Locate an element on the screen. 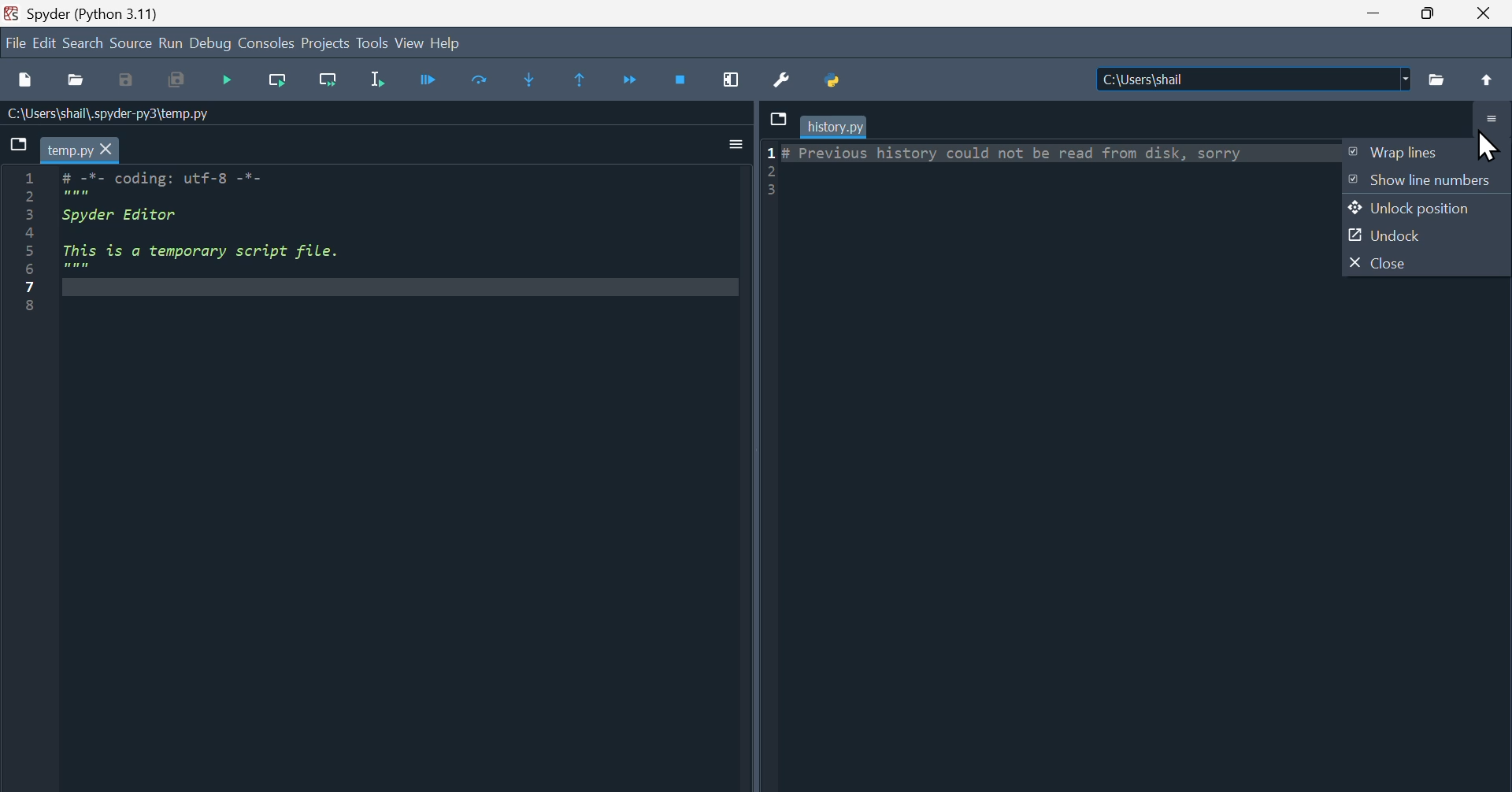 The width and height of the screenshot is (1512, 792). temp.py is located at coordinates (83, 150).